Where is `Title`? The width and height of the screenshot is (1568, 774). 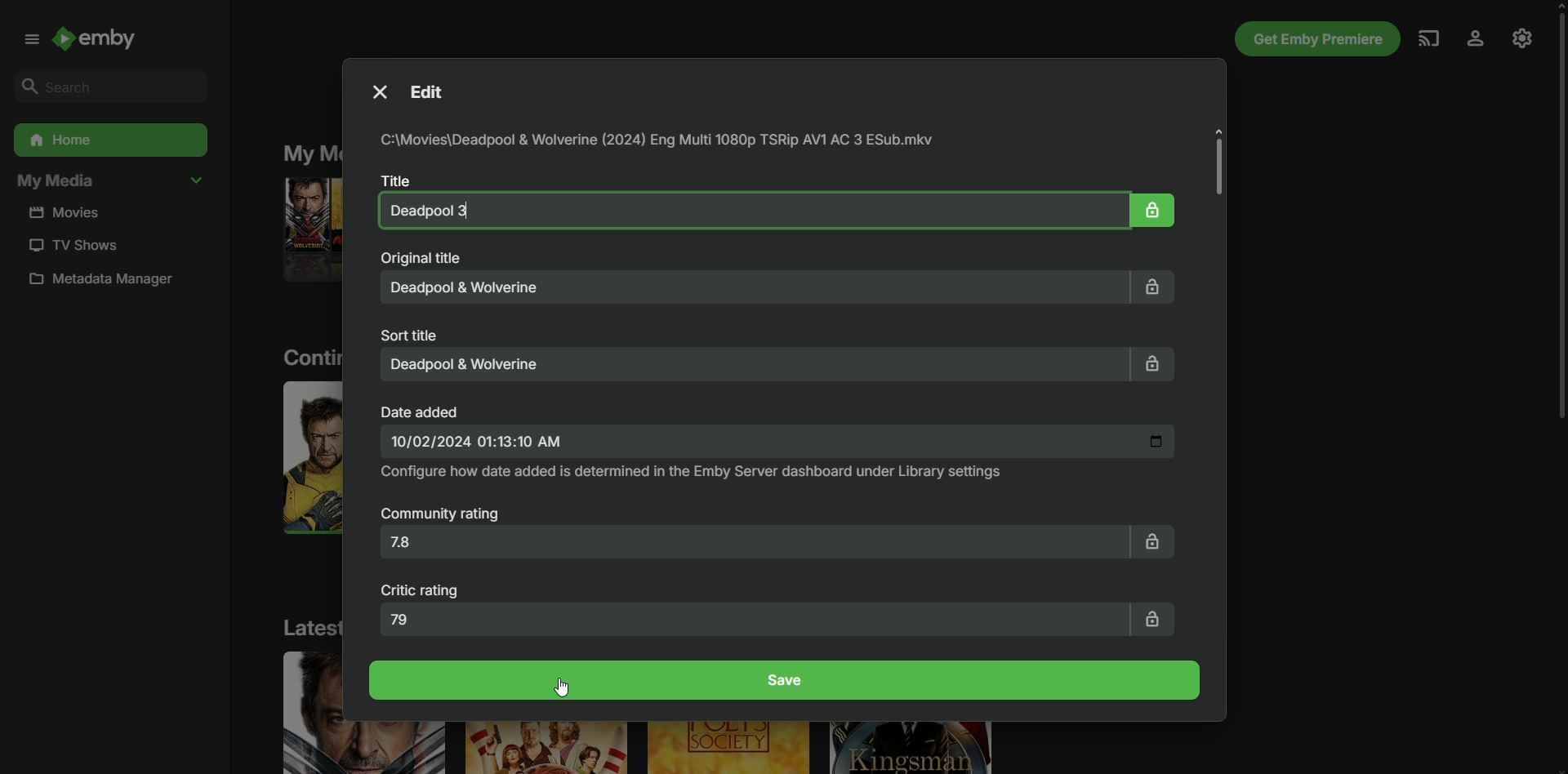
Title is located at coordinates (393, 180).